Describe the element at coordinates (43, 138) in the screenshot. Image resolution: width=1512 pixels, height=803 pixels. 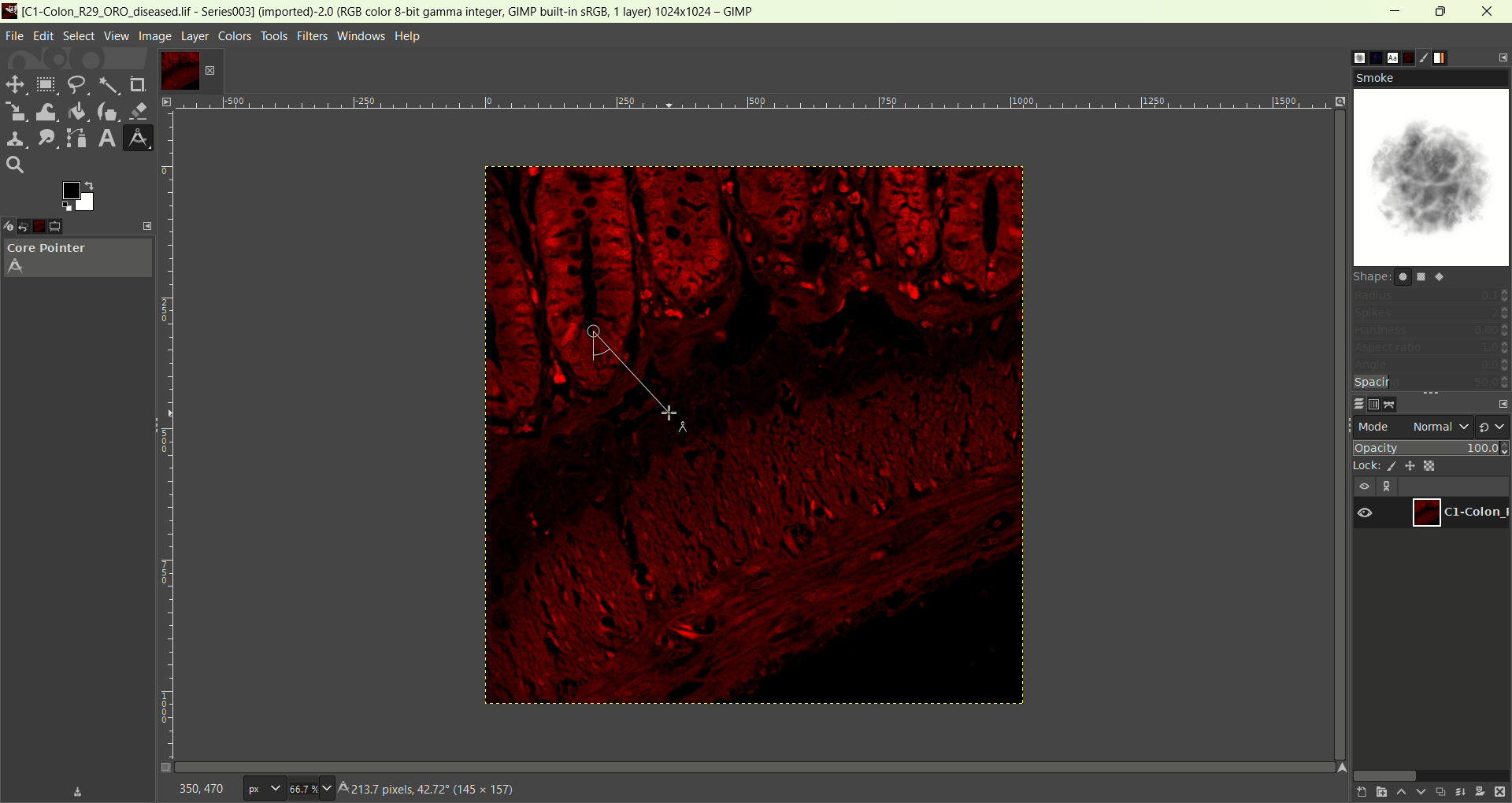
I see `smudge tool` at that location.